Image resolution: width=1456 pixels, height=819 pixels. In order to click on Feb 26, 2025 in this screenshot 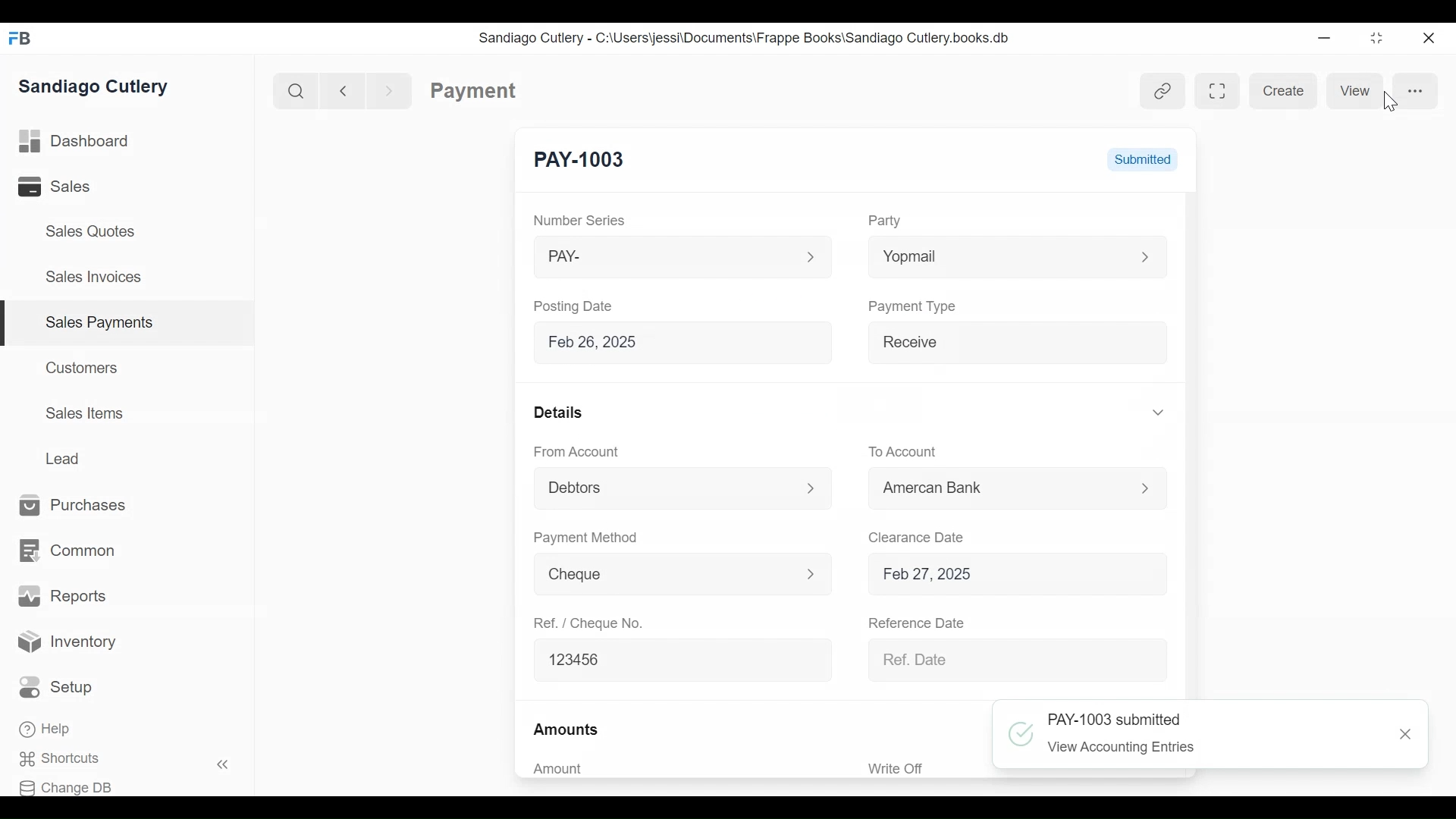, I will do `click(683, 343)`.